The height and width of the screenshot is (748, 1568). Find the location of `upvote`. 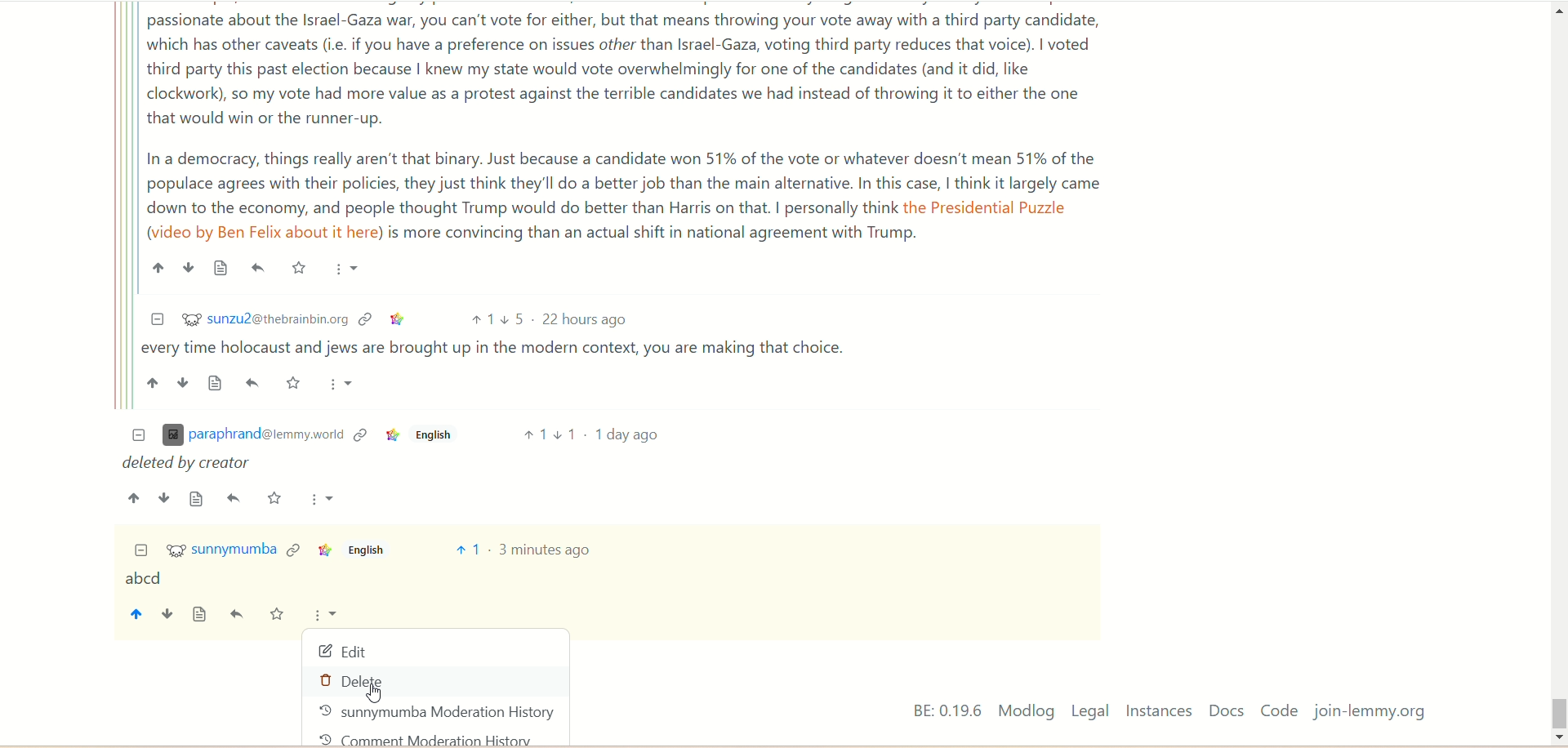

upvote is located at coordinates (135, 617).